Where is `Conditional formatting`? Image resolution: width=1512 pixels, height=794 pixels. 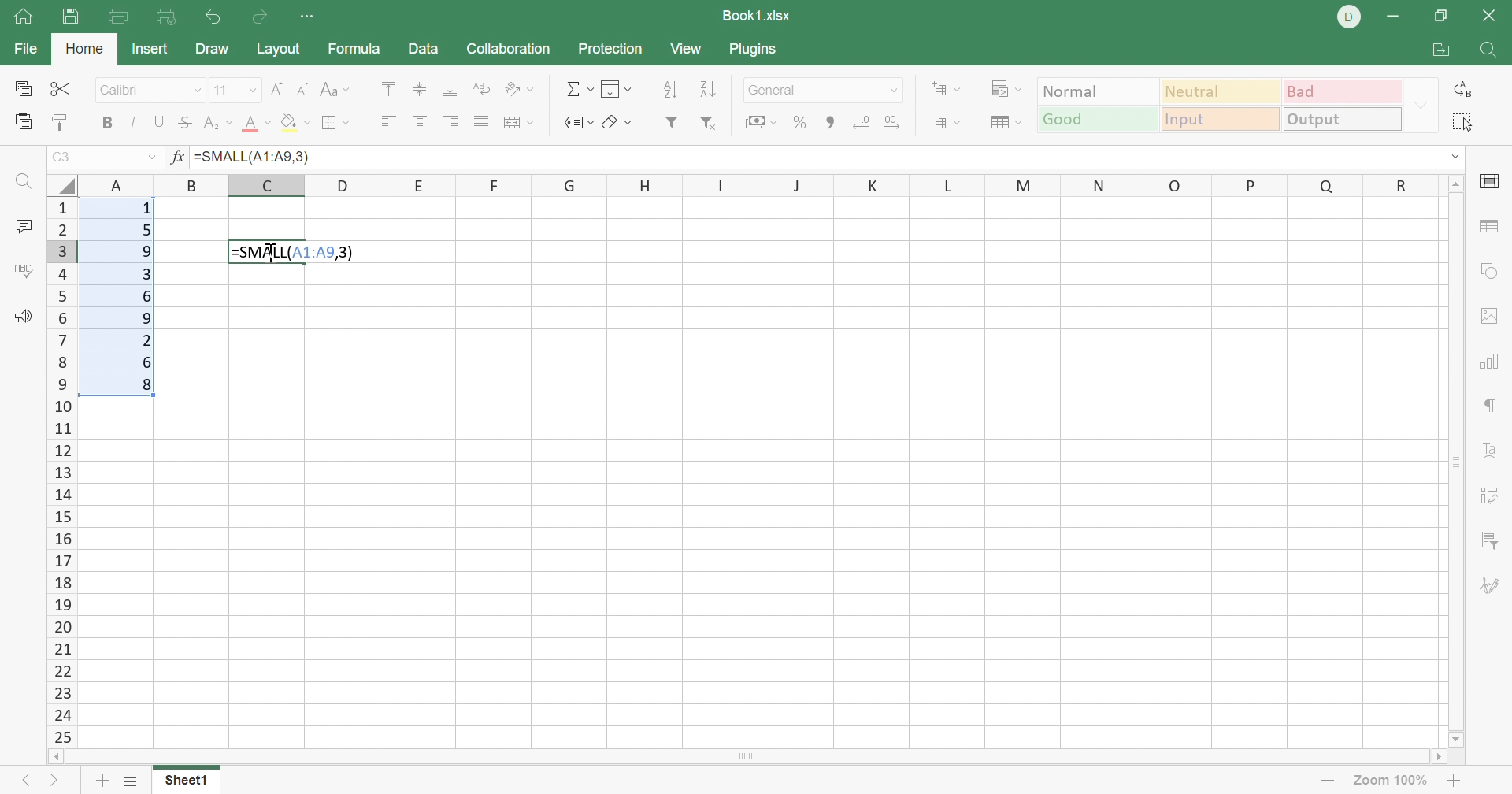
Conditional formatting is located at coordinates (1006, 88).